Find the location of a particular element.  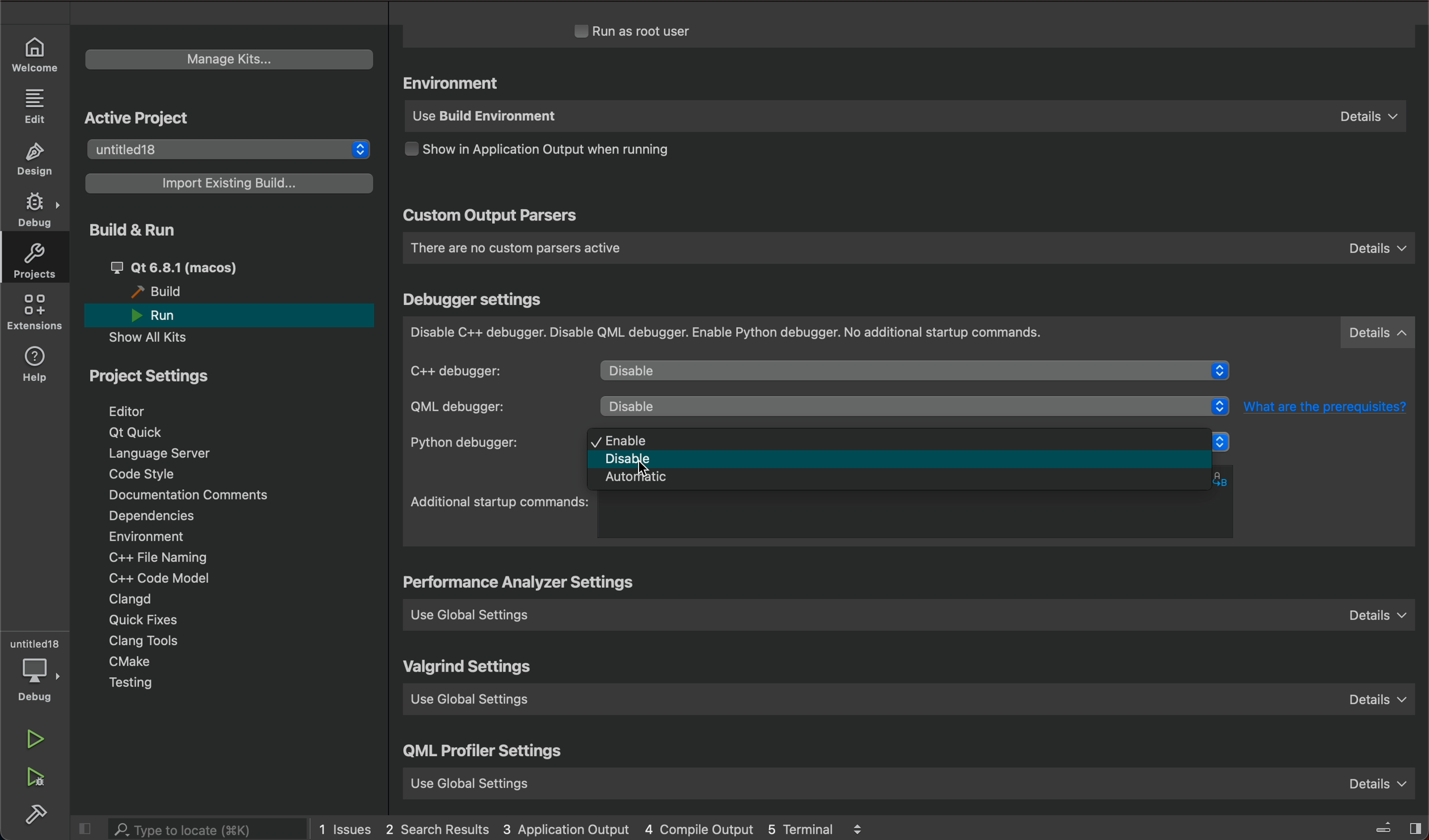

custom is located at coordinates (490, 217).